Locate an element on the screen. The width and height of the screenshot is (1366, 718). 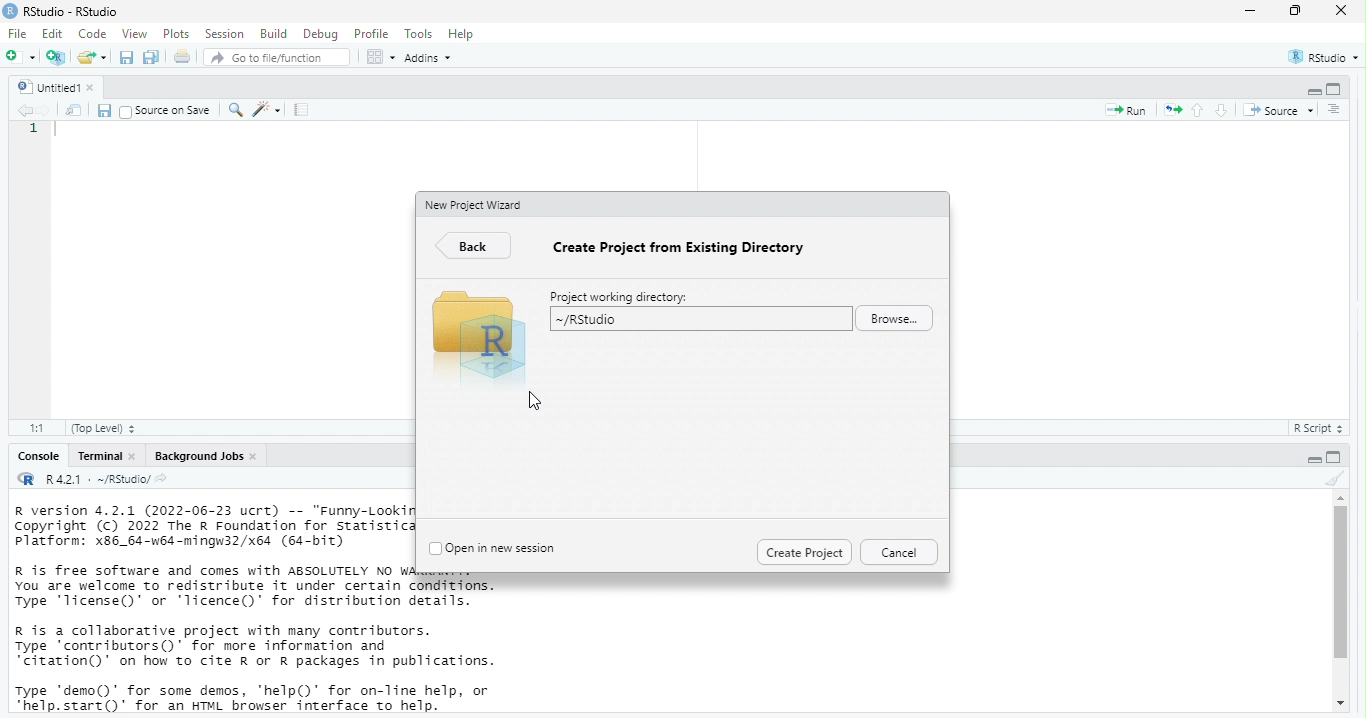
(Top level) is located at coordinates (108, 428).